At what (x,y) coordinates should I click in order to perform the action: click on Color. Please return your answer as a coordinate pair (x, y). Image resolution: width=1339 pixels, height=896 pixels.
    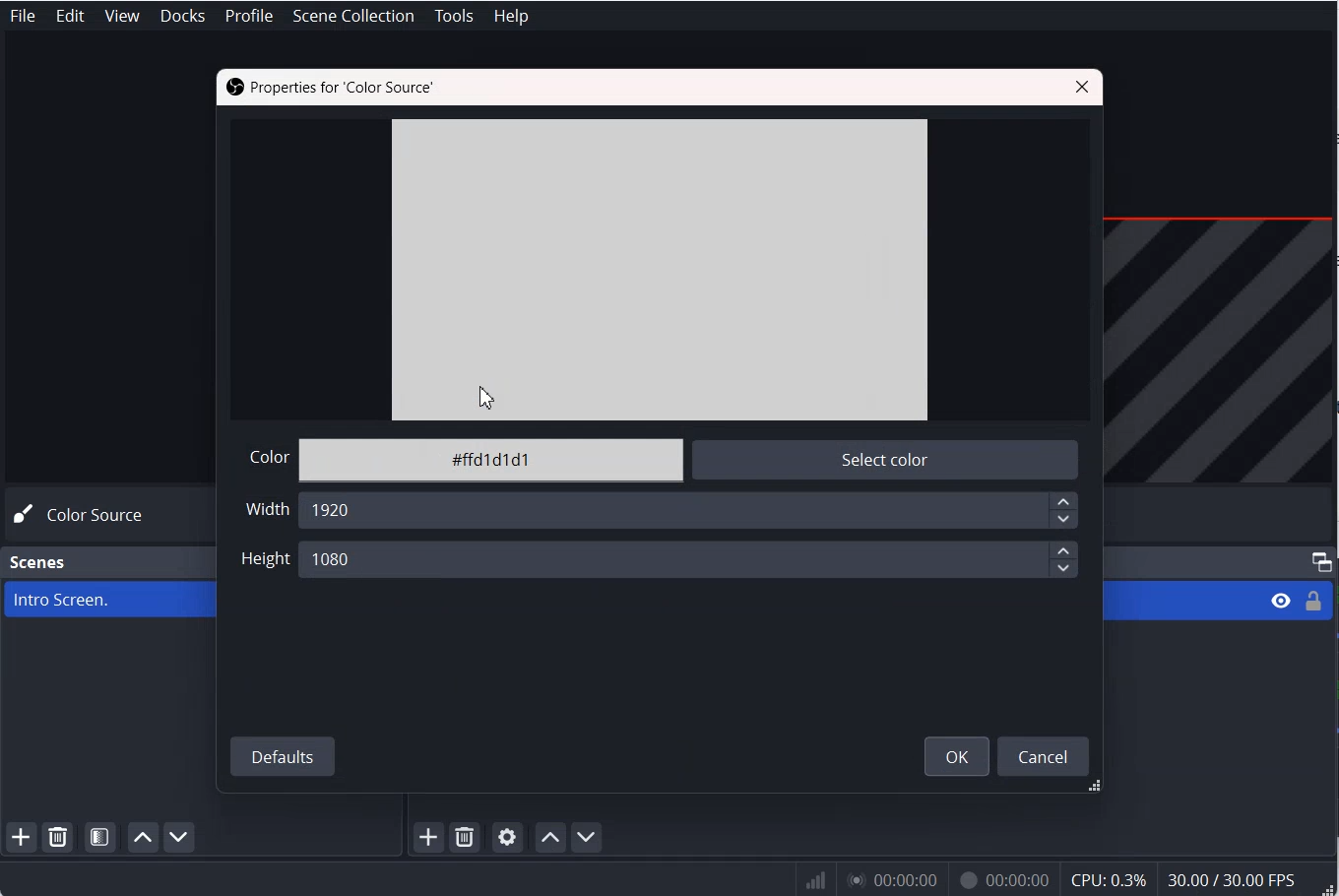
    Looking at the image, I should click on (265, 457).